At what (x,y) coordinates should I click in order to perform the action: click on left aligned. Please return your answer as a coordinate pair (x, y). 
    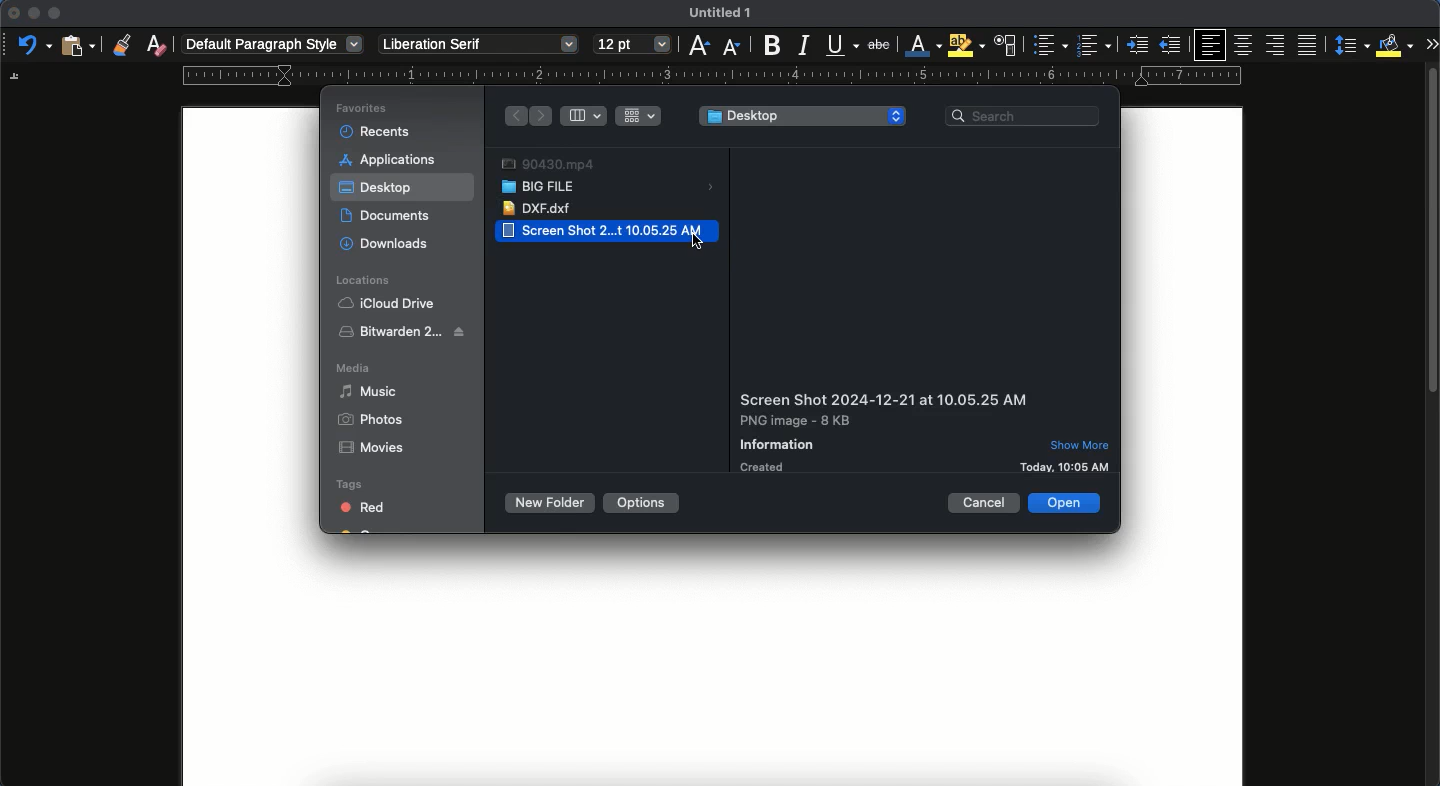
    Looking at the image, I should click on (1208, 45).